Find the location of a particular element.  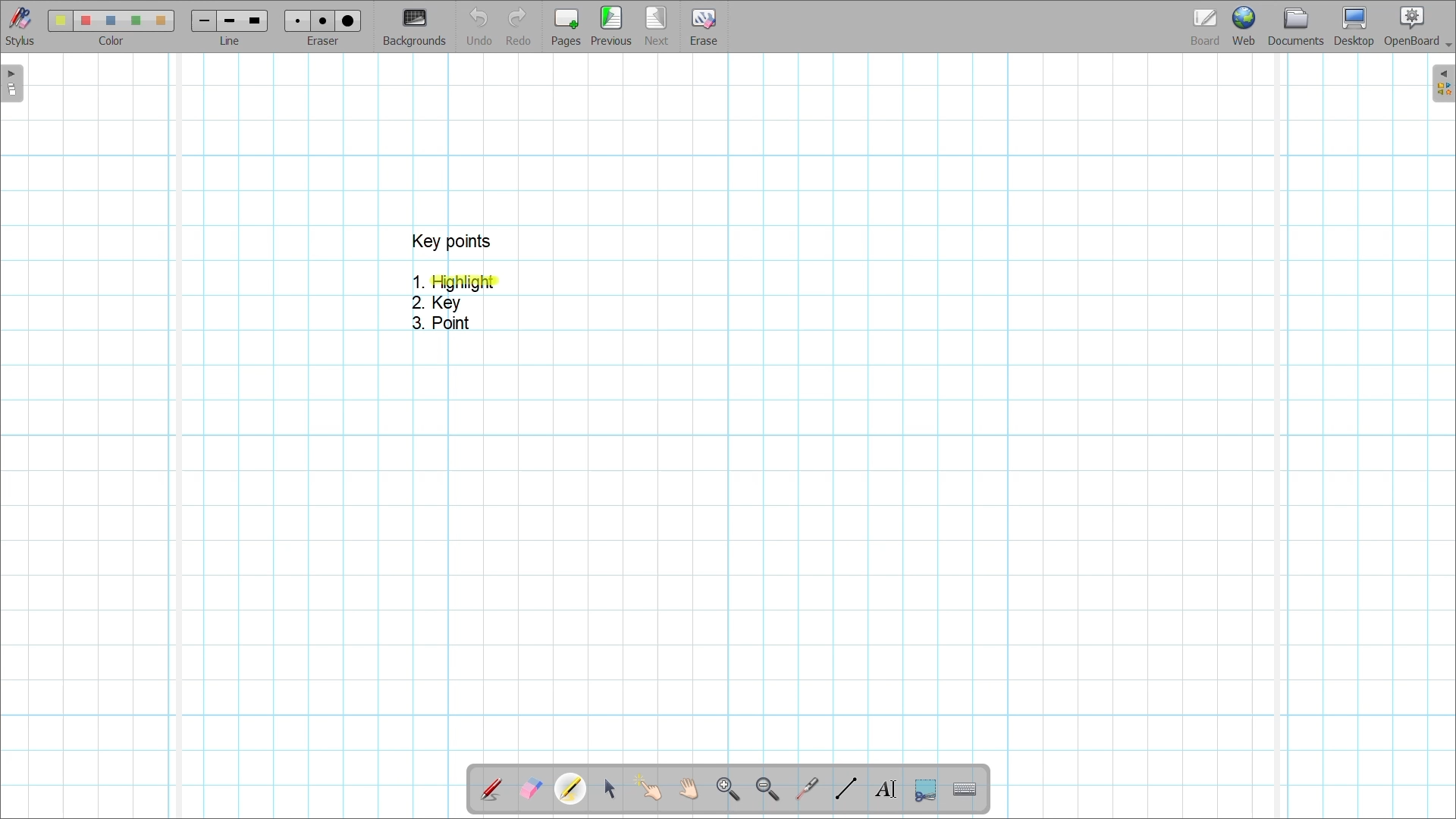

Erase entire page is located at coordinates (703, 27).